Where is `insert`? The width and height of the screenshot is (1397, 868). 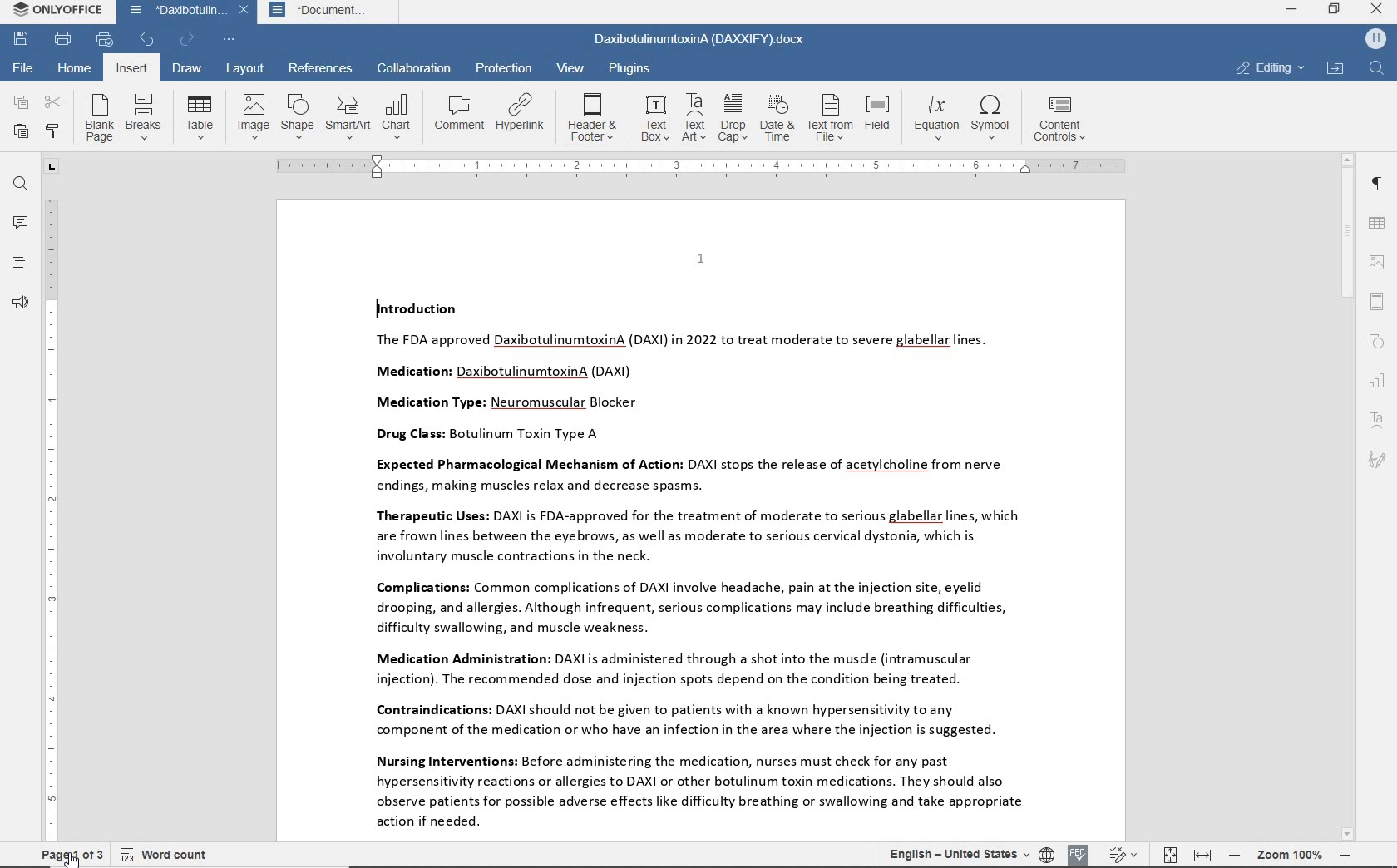
insert is located at coordinates (130, 68).